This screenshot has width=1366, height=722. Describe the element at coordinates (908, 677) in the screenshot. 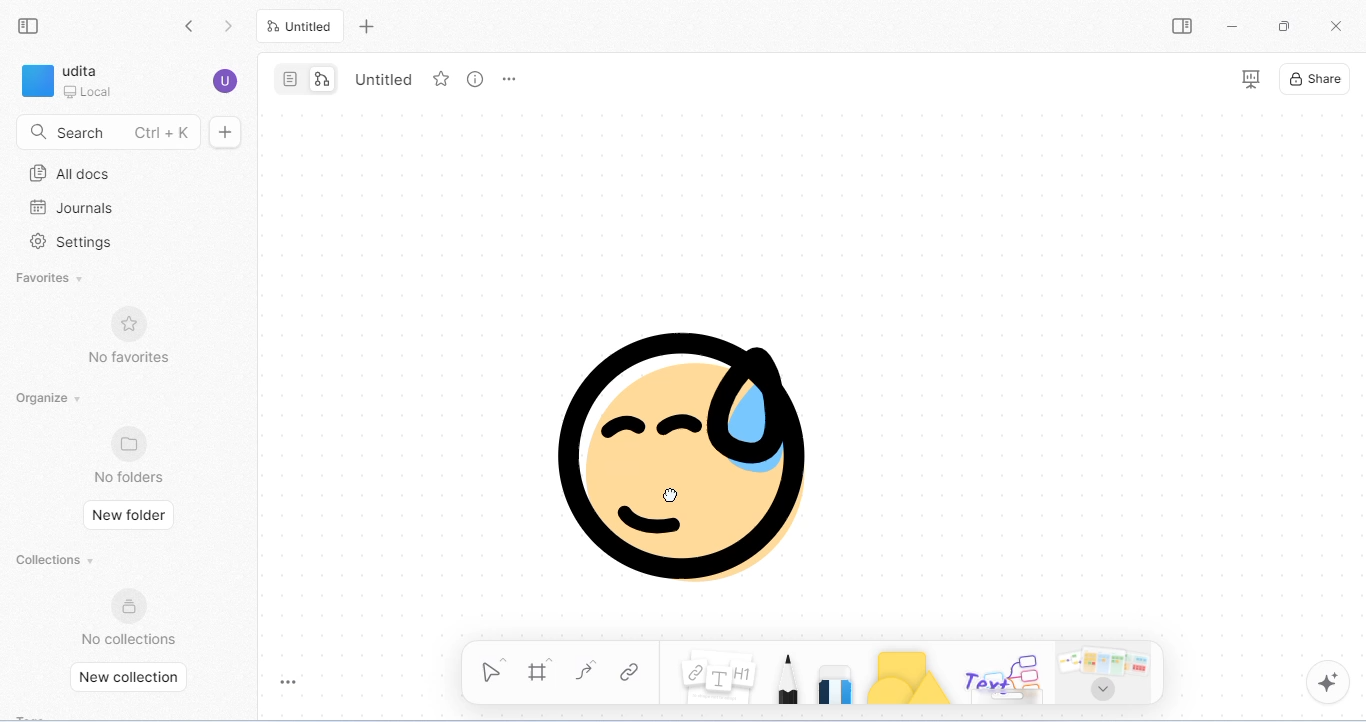

I see `shapes` at that location.